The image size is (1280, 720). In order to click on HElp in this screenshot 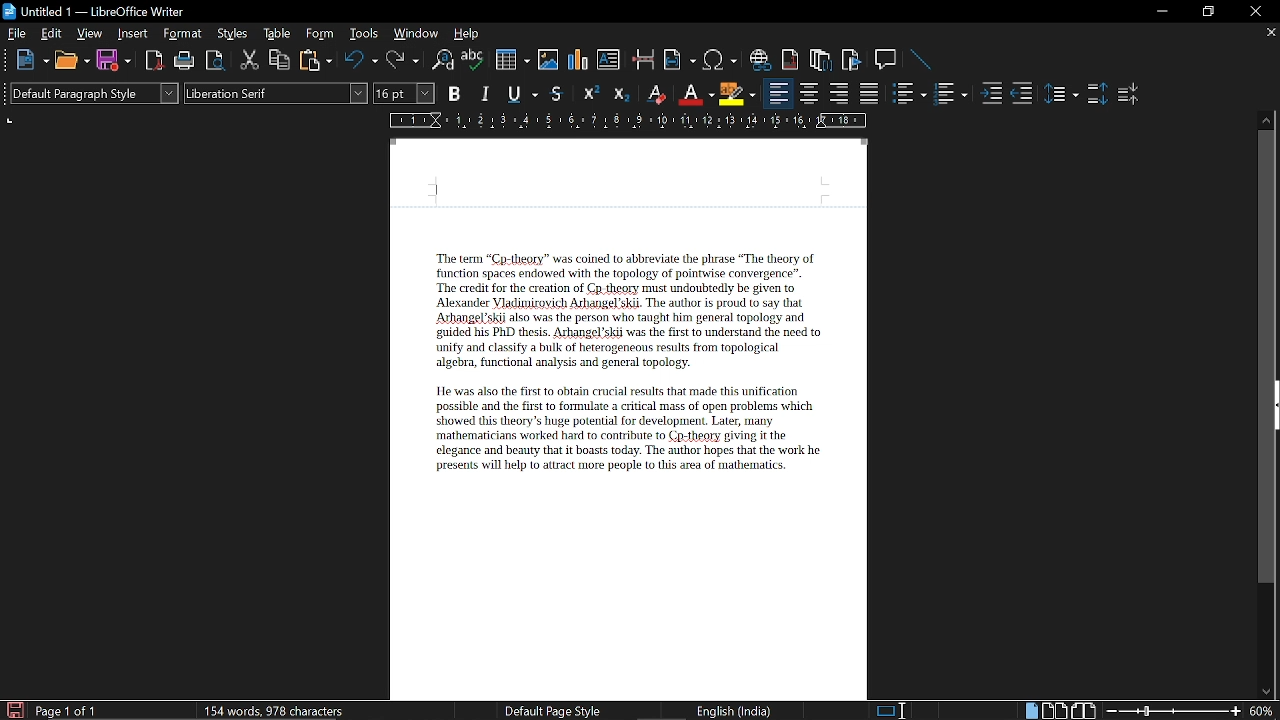, I will do `click(467, 34)`.